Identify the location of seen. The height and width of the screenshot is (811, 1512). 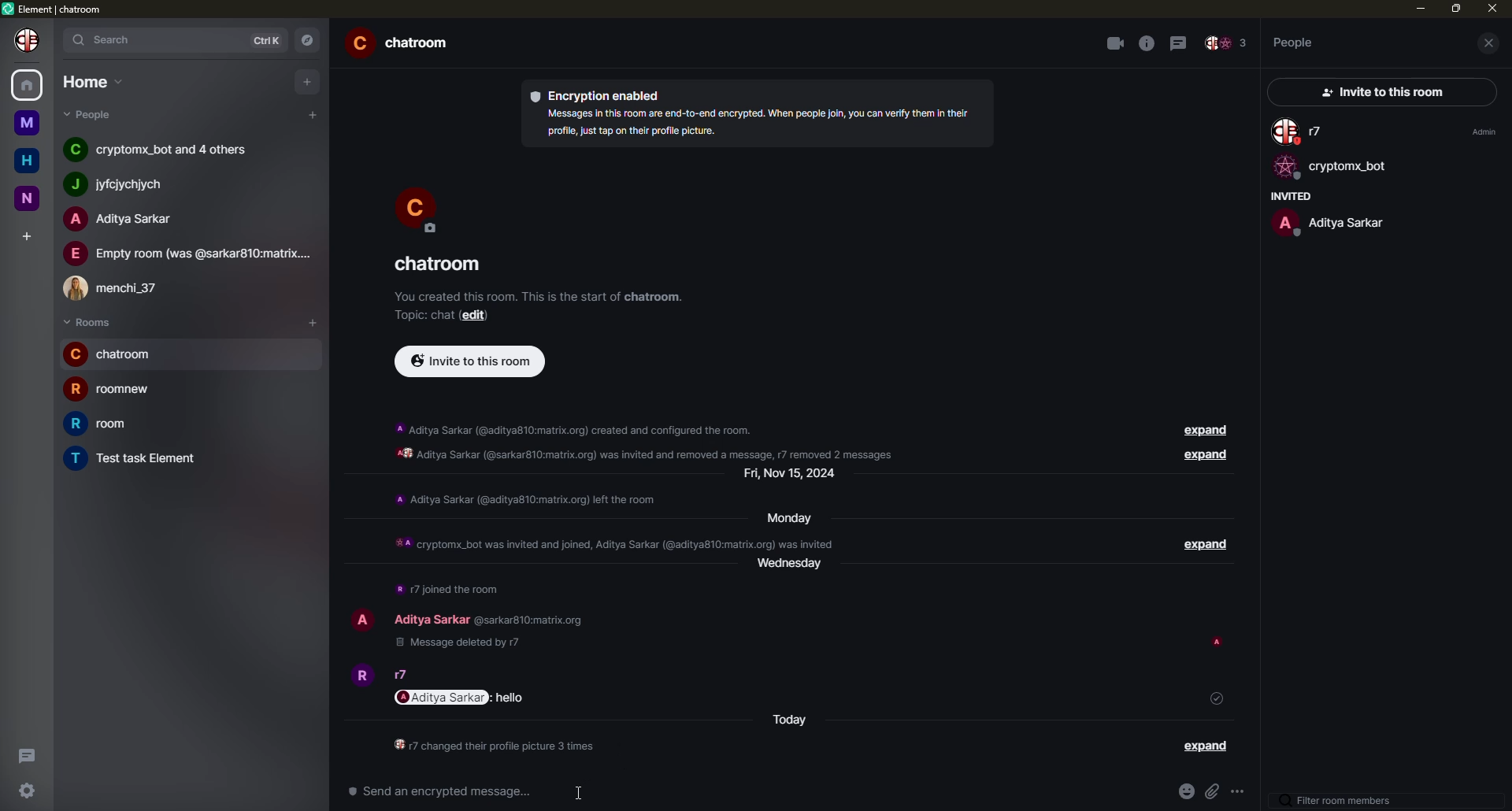
(1220, 643).